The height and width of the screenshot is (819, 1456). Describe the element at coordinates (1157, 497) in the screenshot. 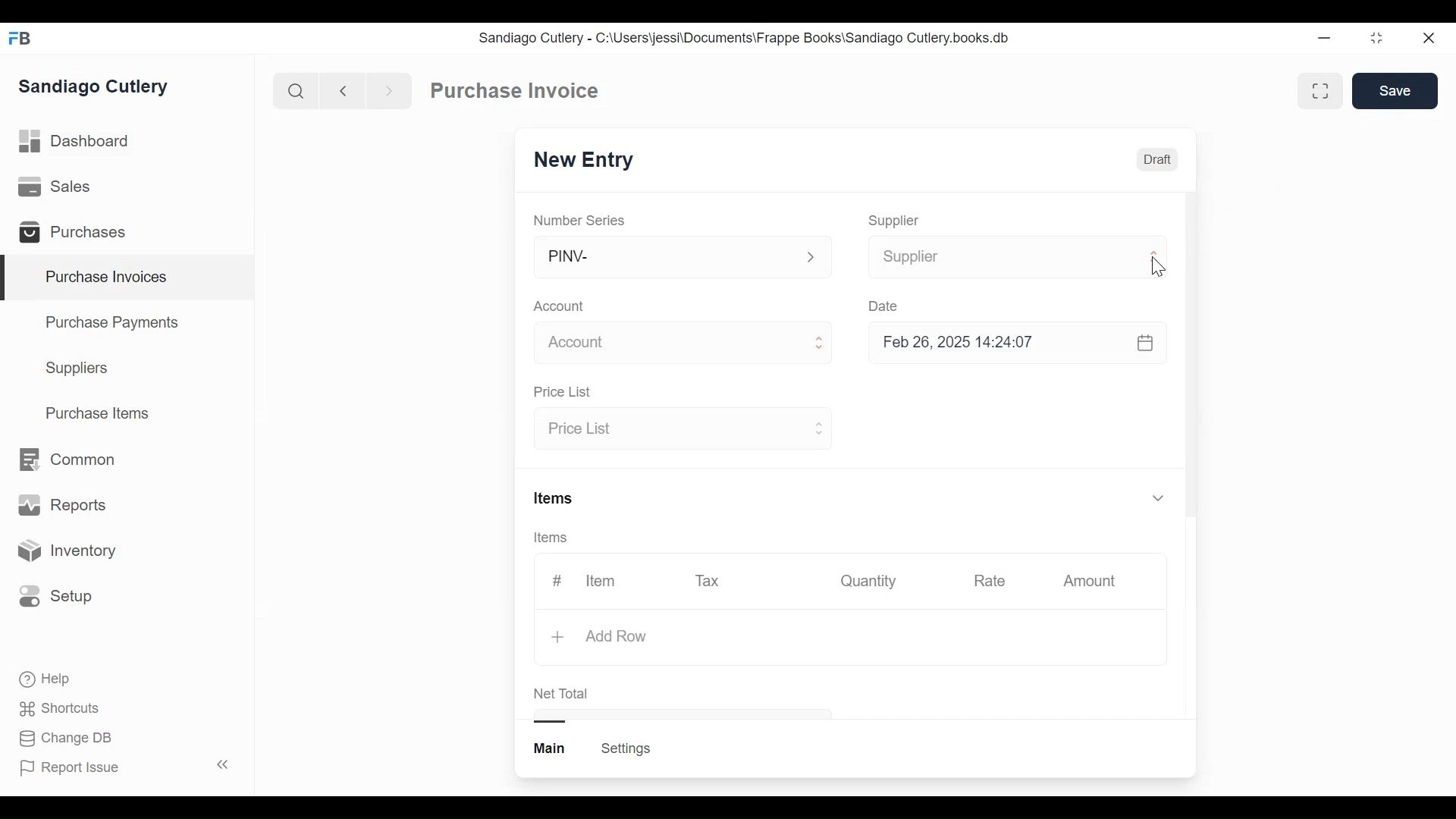

I see `Expand` at that location.